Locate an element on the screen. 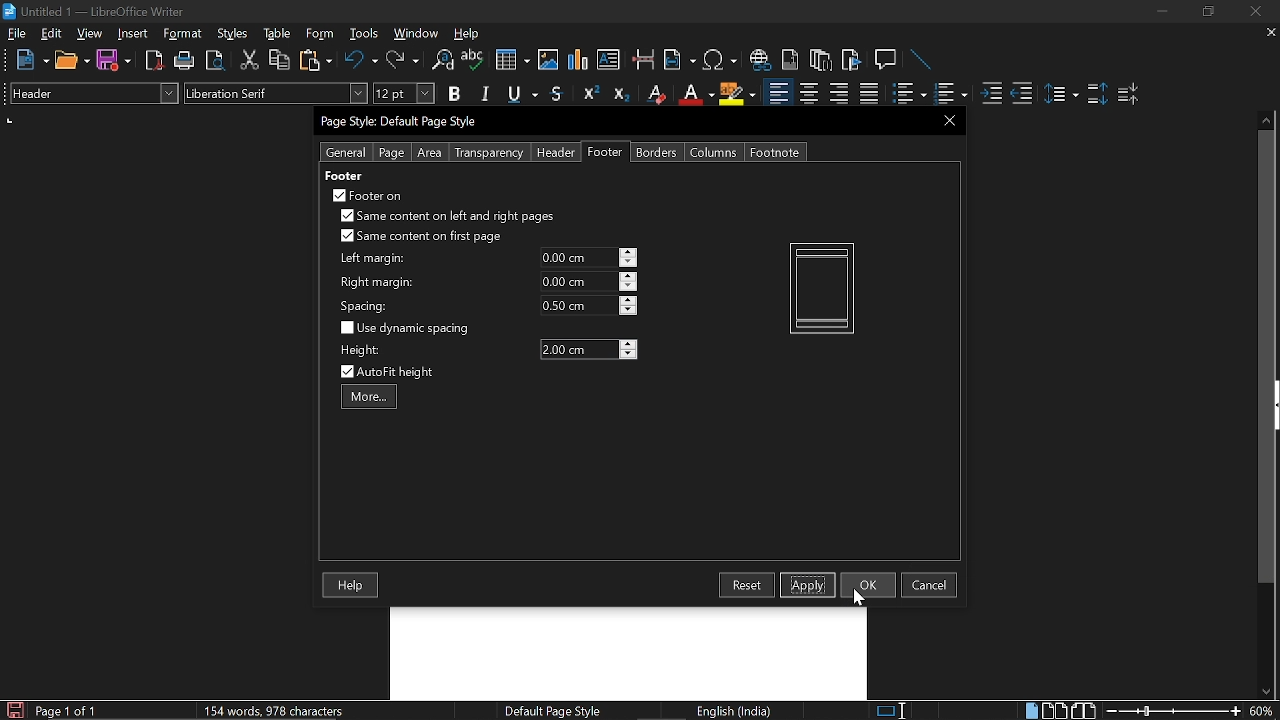 This screenshot has height=720, width=1280. Current window is located at coordinates (402, 122).